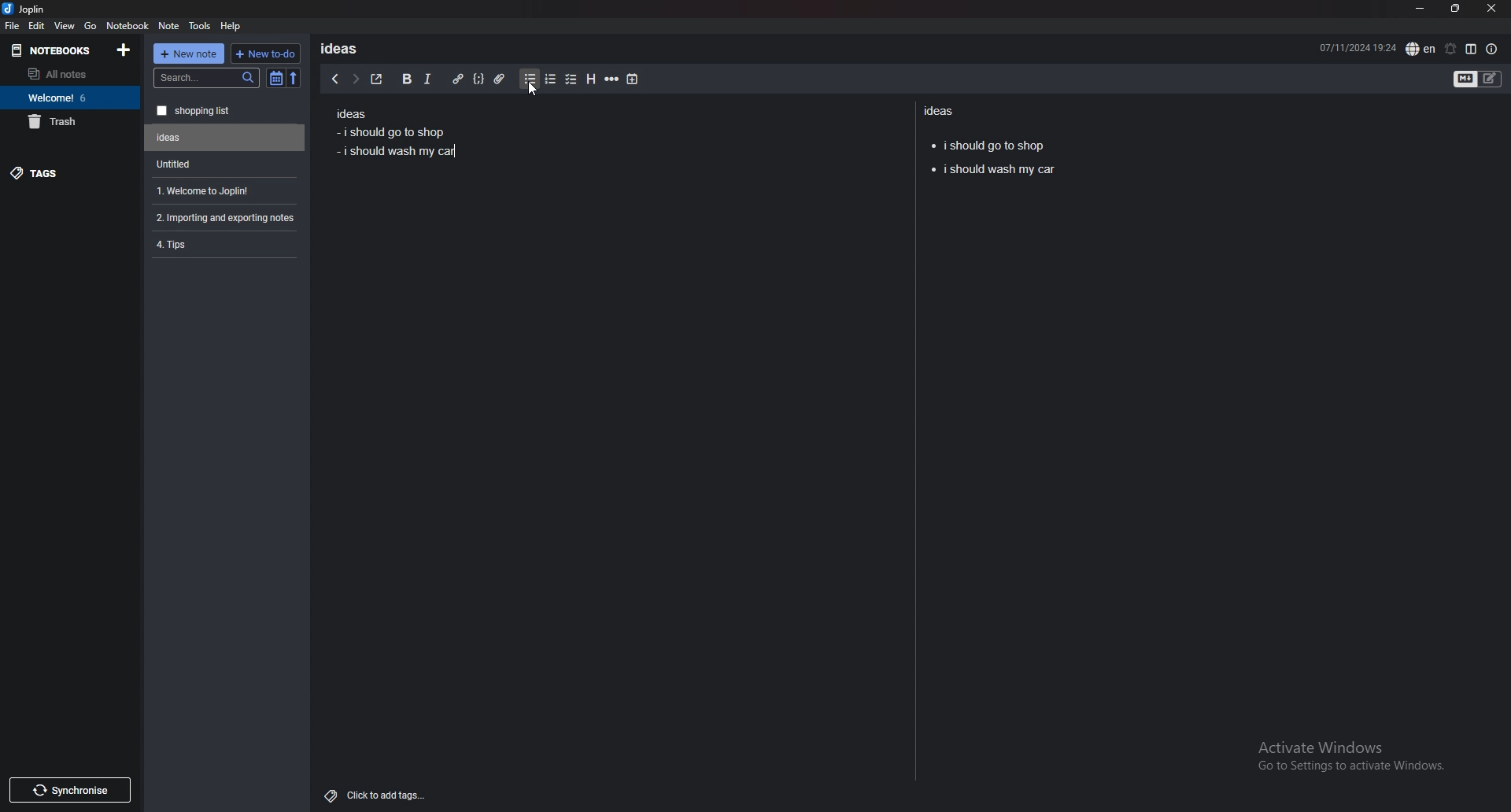 The height and width of the screenshot is (812, 1511). What do you see at coordinates (405, 79) in the screenshot?
I see `bold` at bounding box center [405, 79].